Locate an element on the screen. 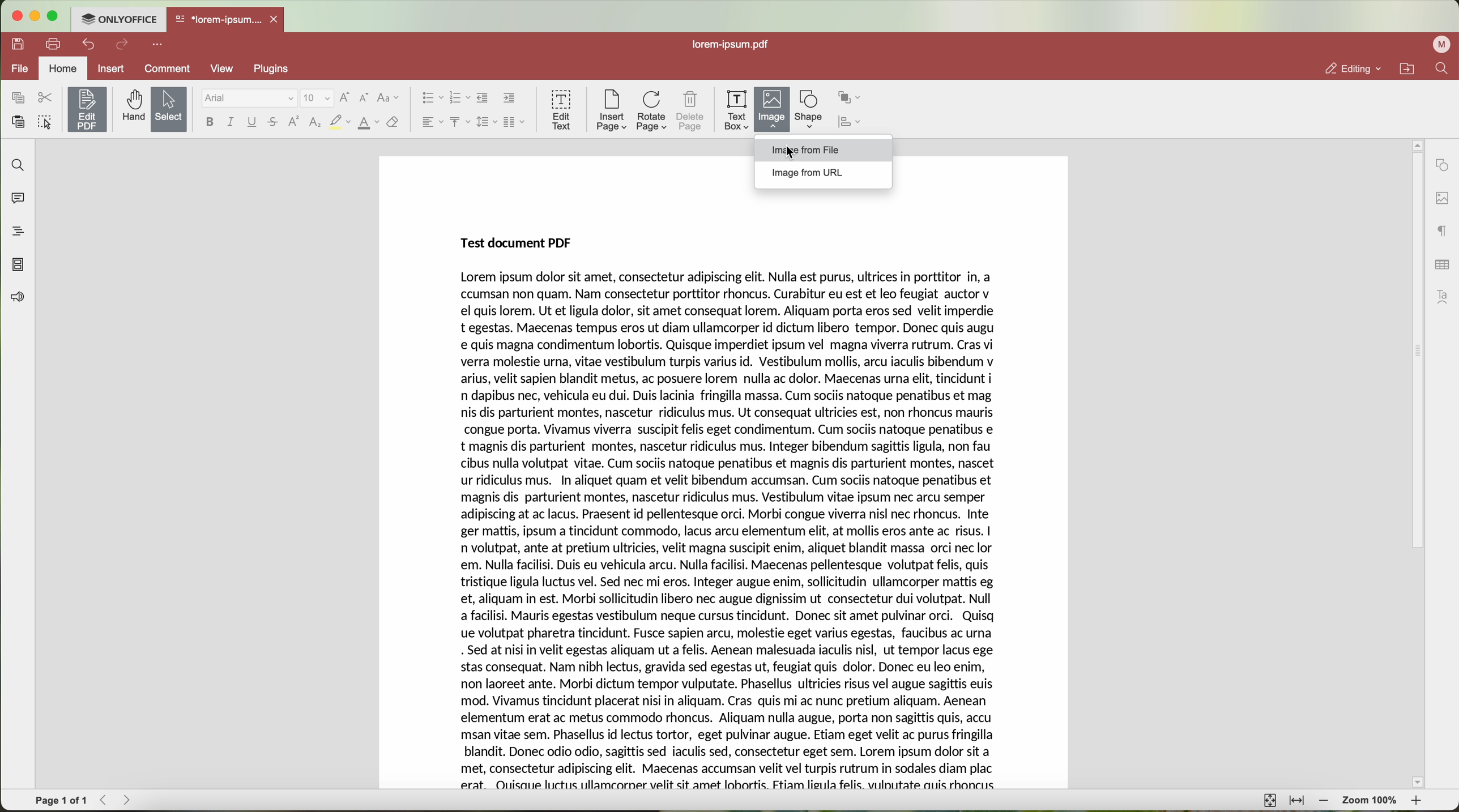  Image from File is located at coordinates (805, 151).